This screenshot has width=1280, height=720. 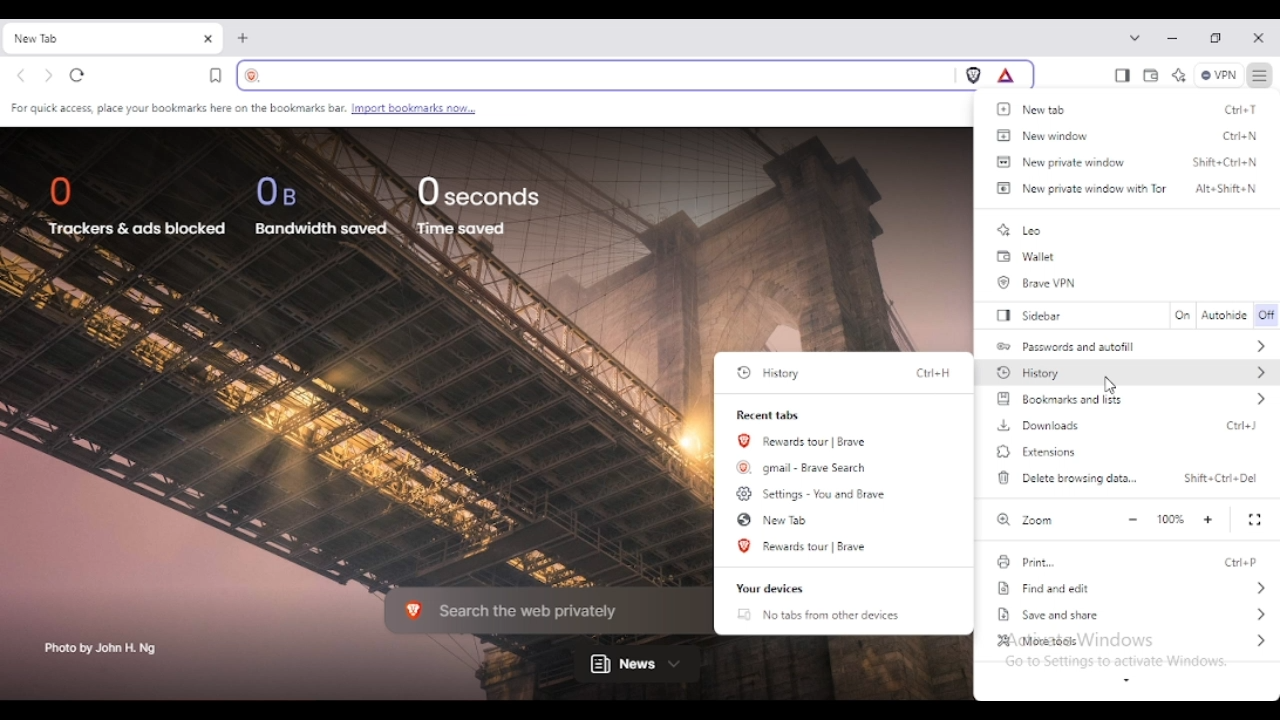 What do you see at coordinates (102, 649) in the screenshot?
I see `photo by John H. Ng` at bounding box center [102, 649].